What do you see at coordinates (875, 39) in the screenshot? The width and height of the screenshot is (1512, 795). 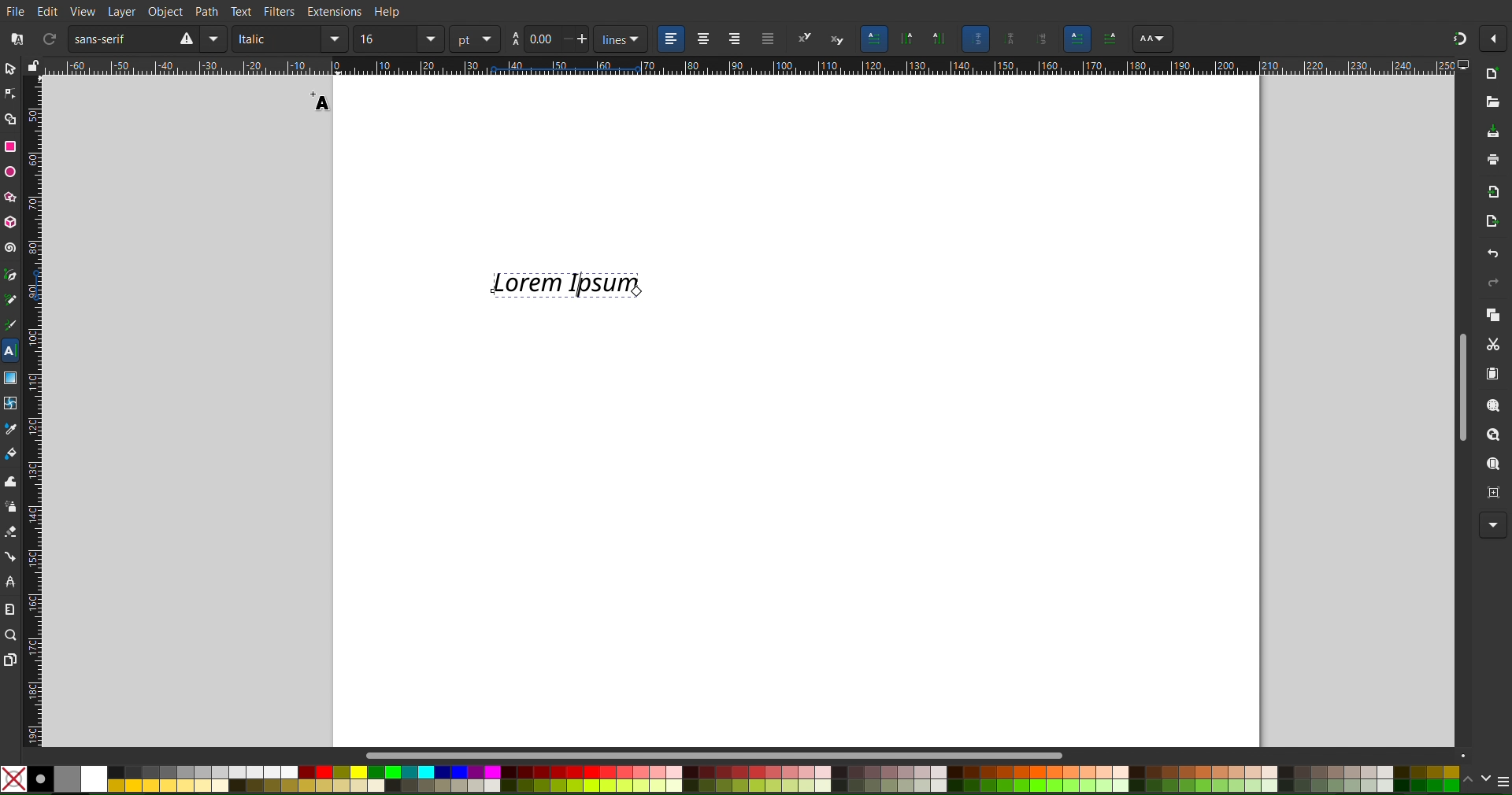 I see `Horizontal Text` at bounding box center [875, 39].